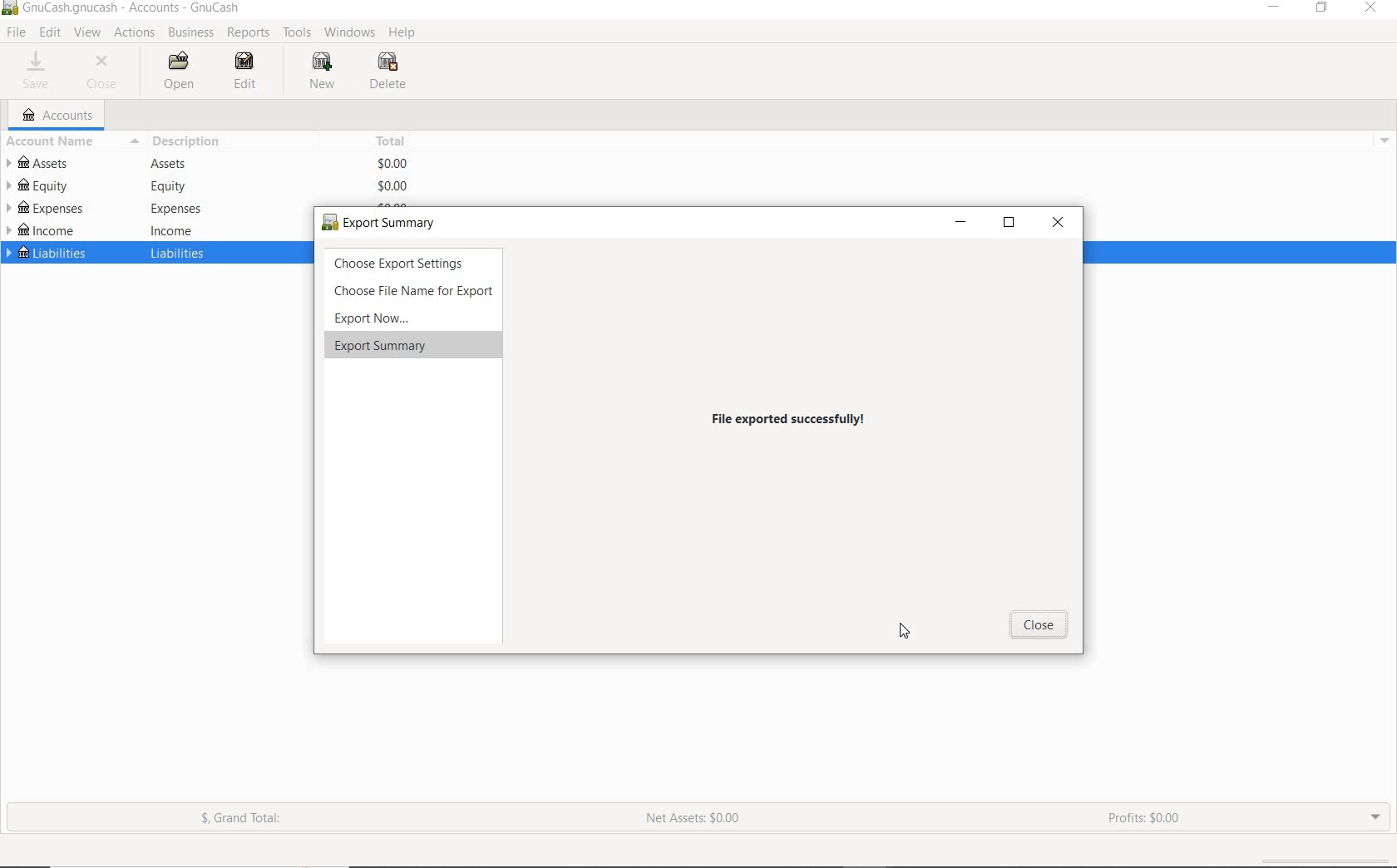  I want to click on $0.00, so click(392, 162).